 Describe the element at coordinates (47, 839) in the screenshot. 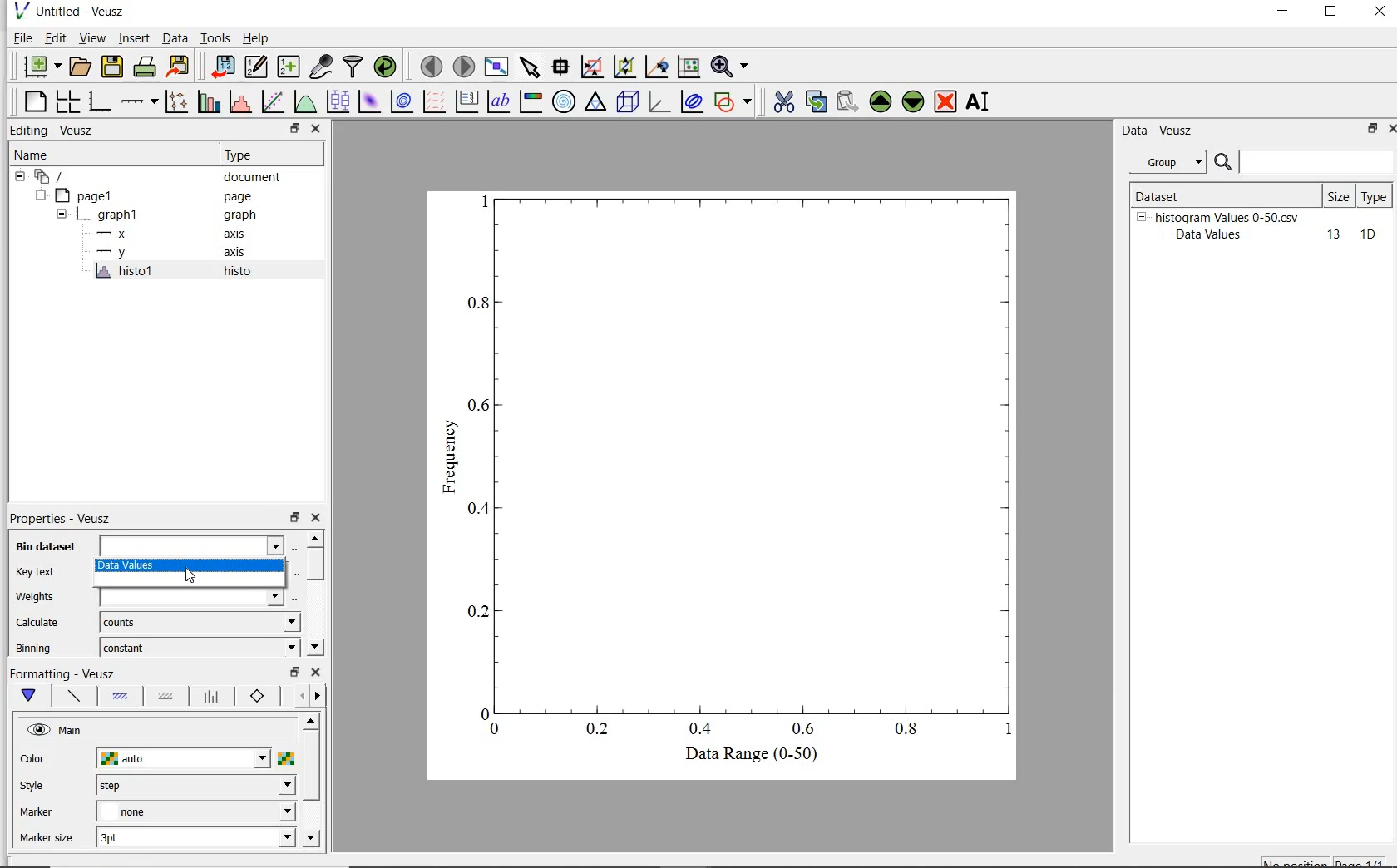

I see `‘Marker size` at that location.